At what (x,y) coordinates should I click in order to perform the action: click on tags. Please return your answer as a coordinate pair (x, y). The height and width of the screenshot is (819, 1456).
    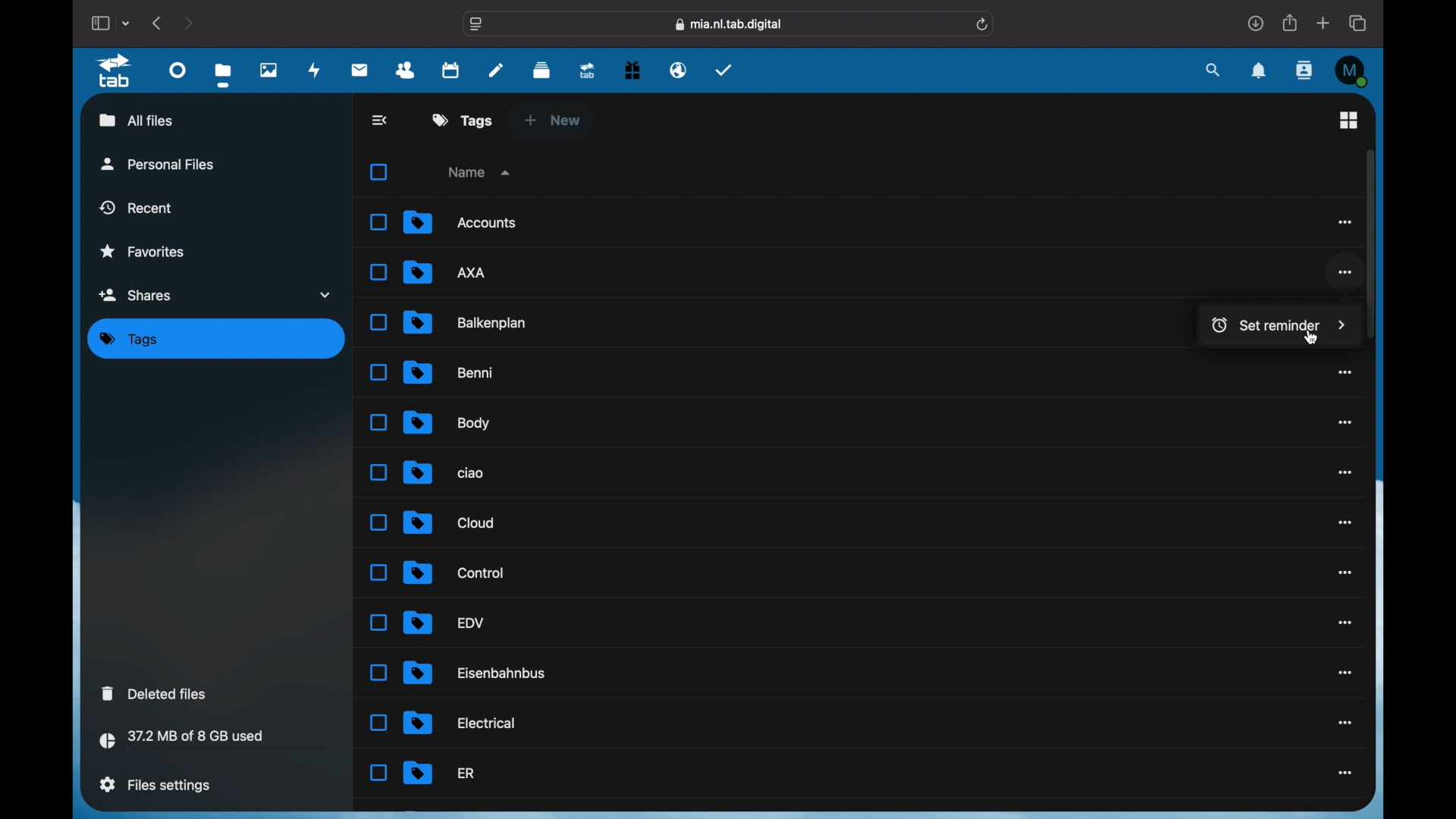
    Looking at the image, I should click on (129, 340).